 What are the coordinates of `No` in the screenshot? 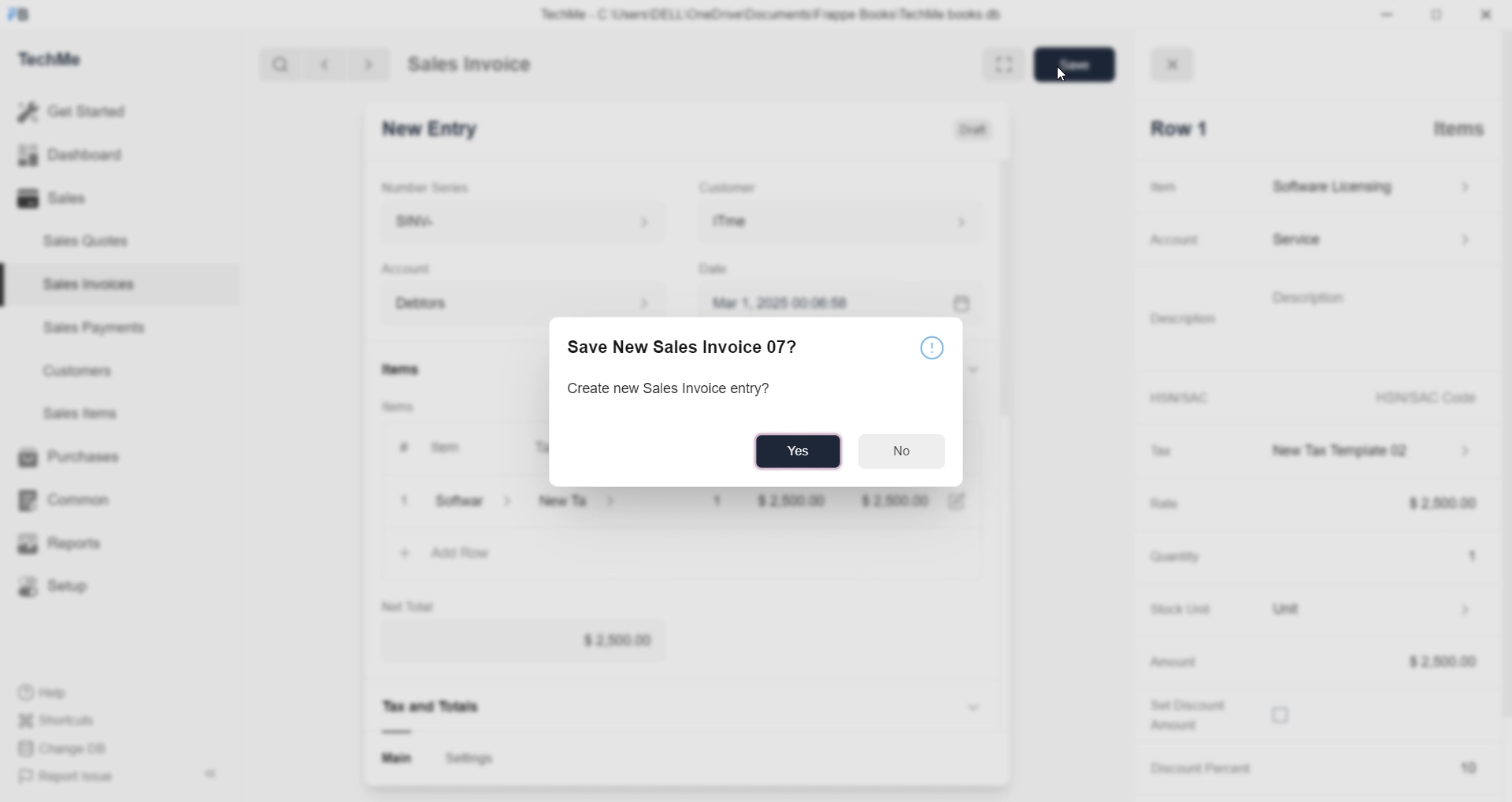 It's located at (905, 450).